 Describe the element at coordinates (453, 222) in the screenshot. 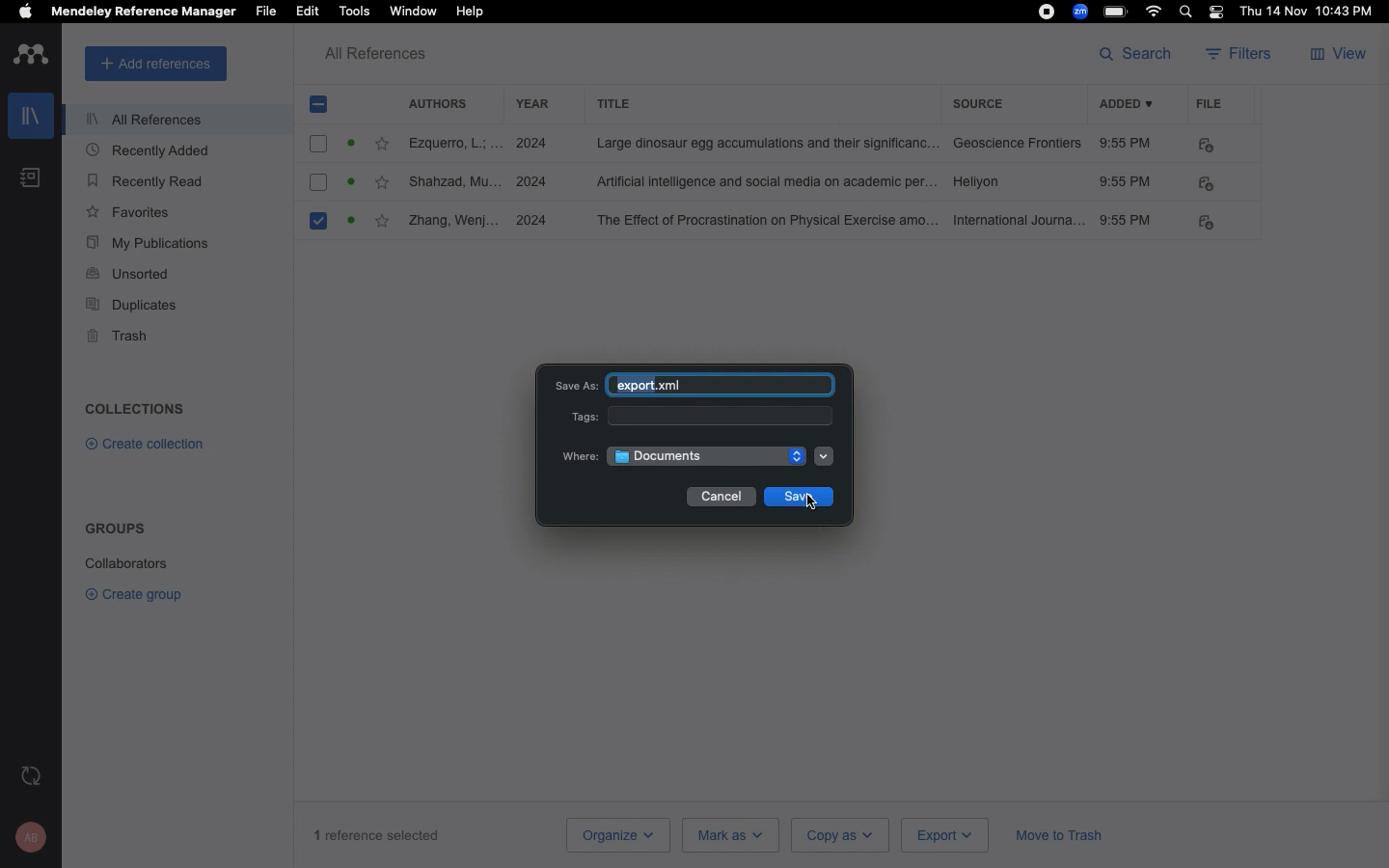

I see `Zhang` at that location.